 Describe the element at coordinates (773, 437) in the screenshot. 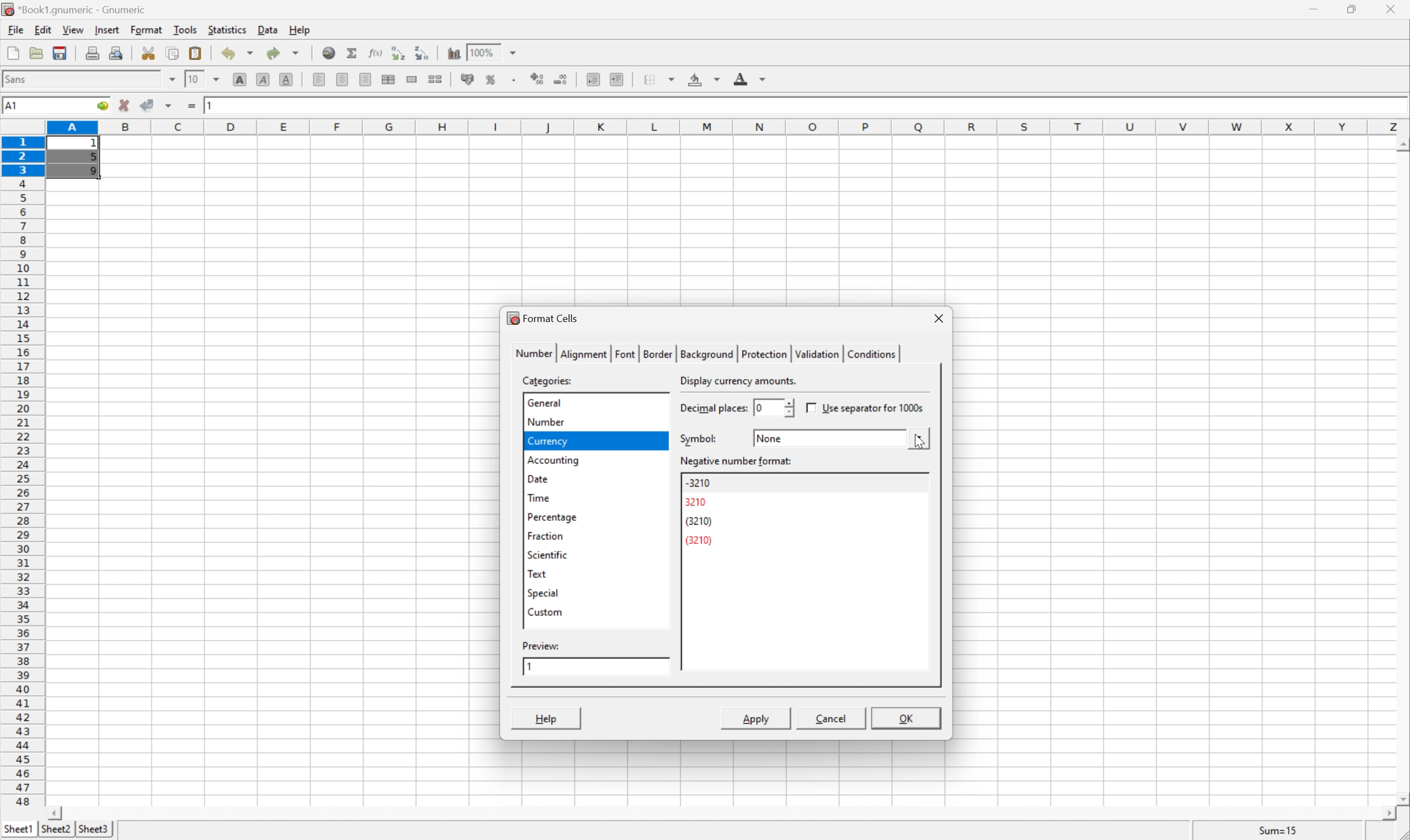

I see `none` at that location.